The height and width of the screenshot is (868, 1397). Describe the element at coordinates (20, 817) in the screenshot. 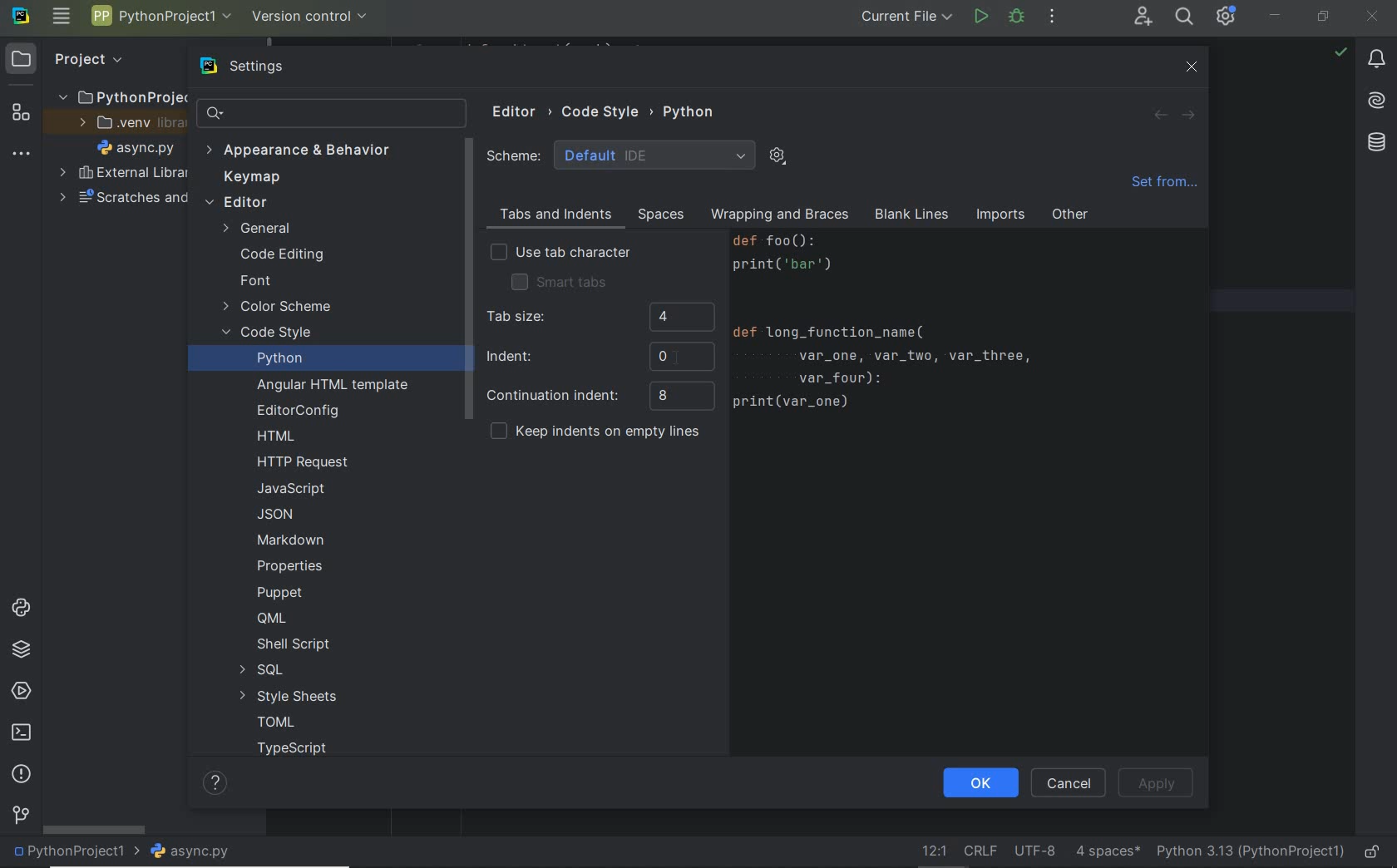

I see `version control` at that location.